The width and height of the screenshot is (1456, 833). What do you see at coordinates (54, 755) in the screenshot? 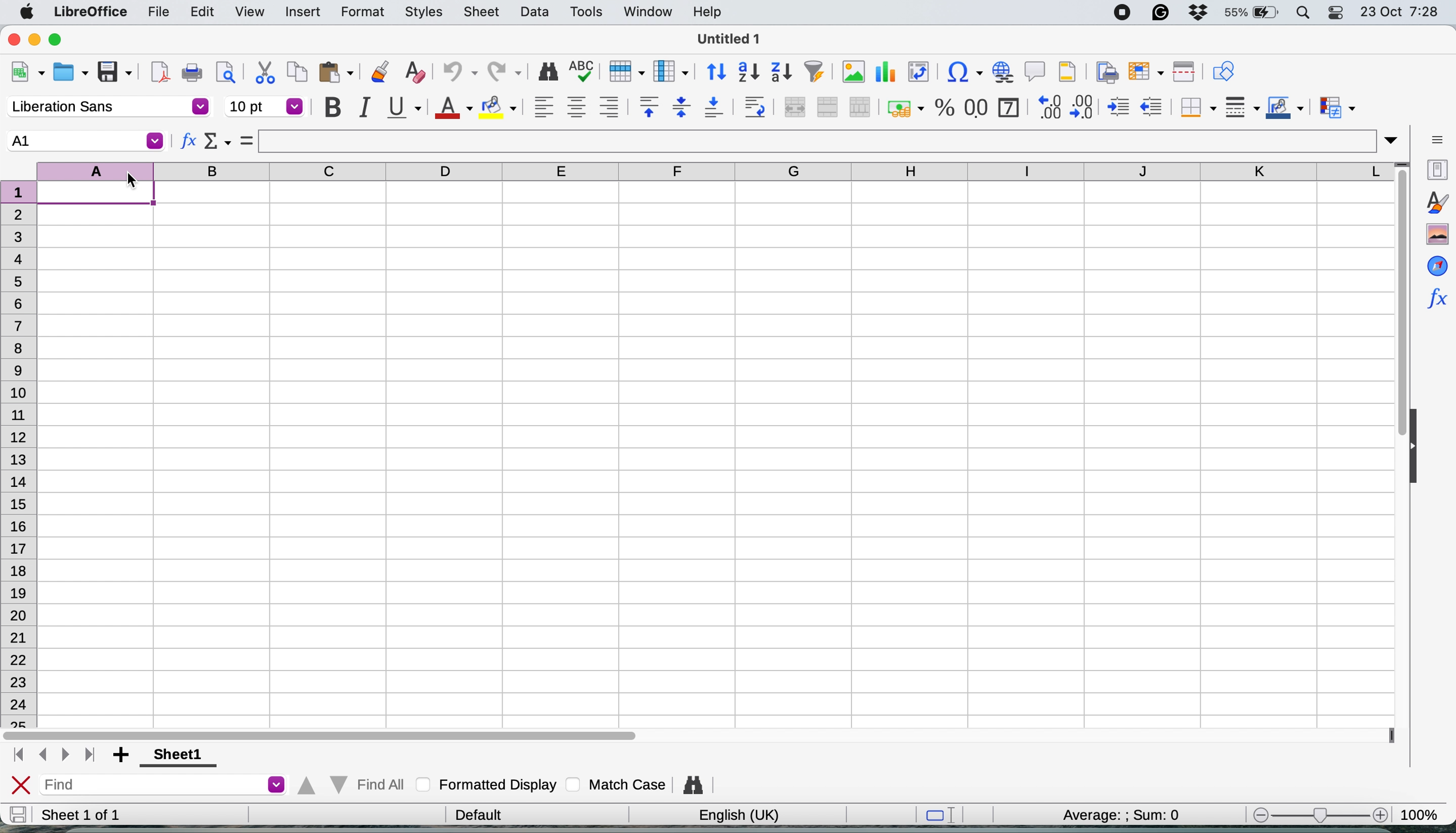
I see `switch between sheets` at bounding box center [54, 755].